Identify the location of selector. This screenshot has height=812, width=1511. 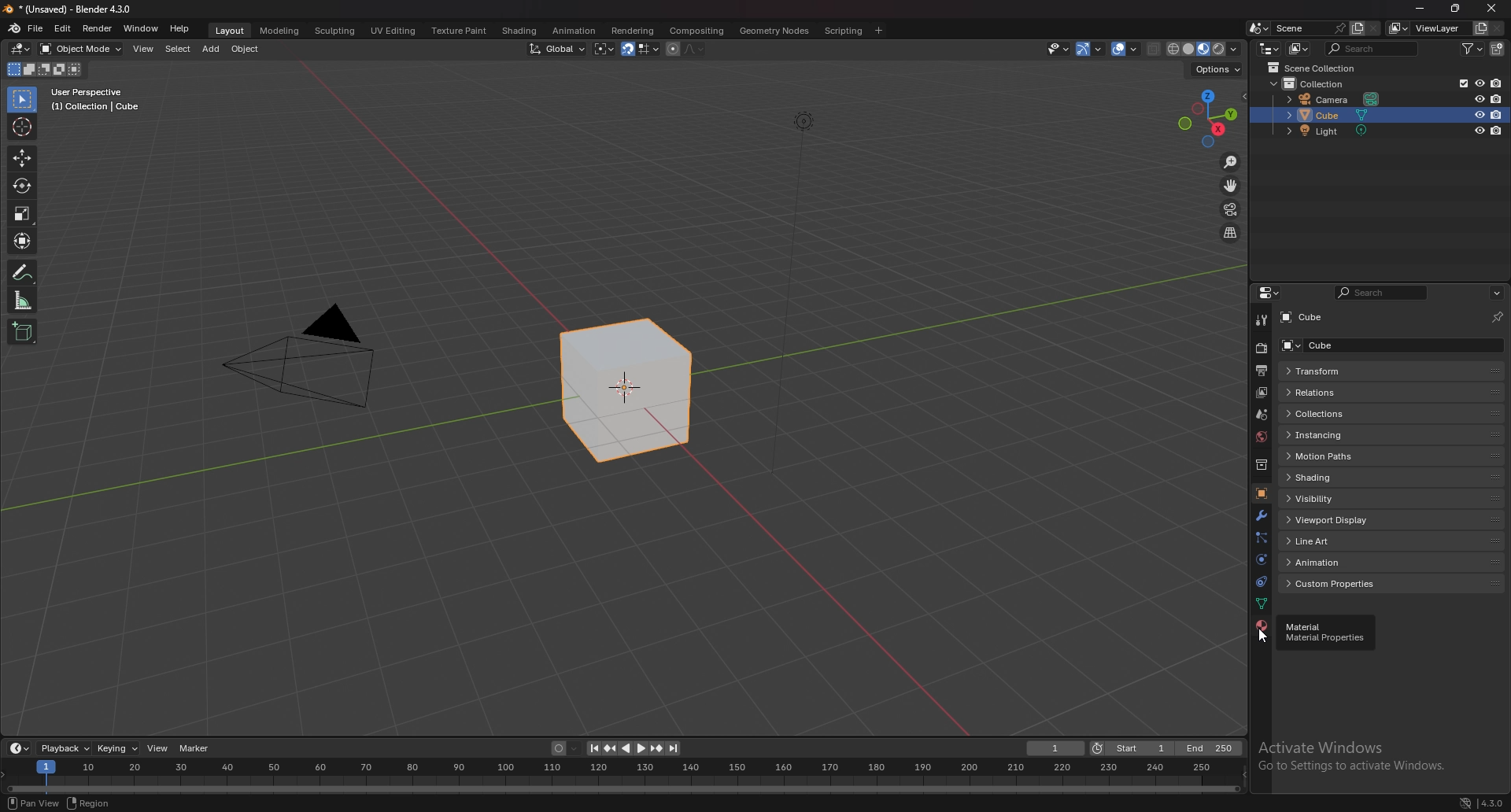
(21, 100).